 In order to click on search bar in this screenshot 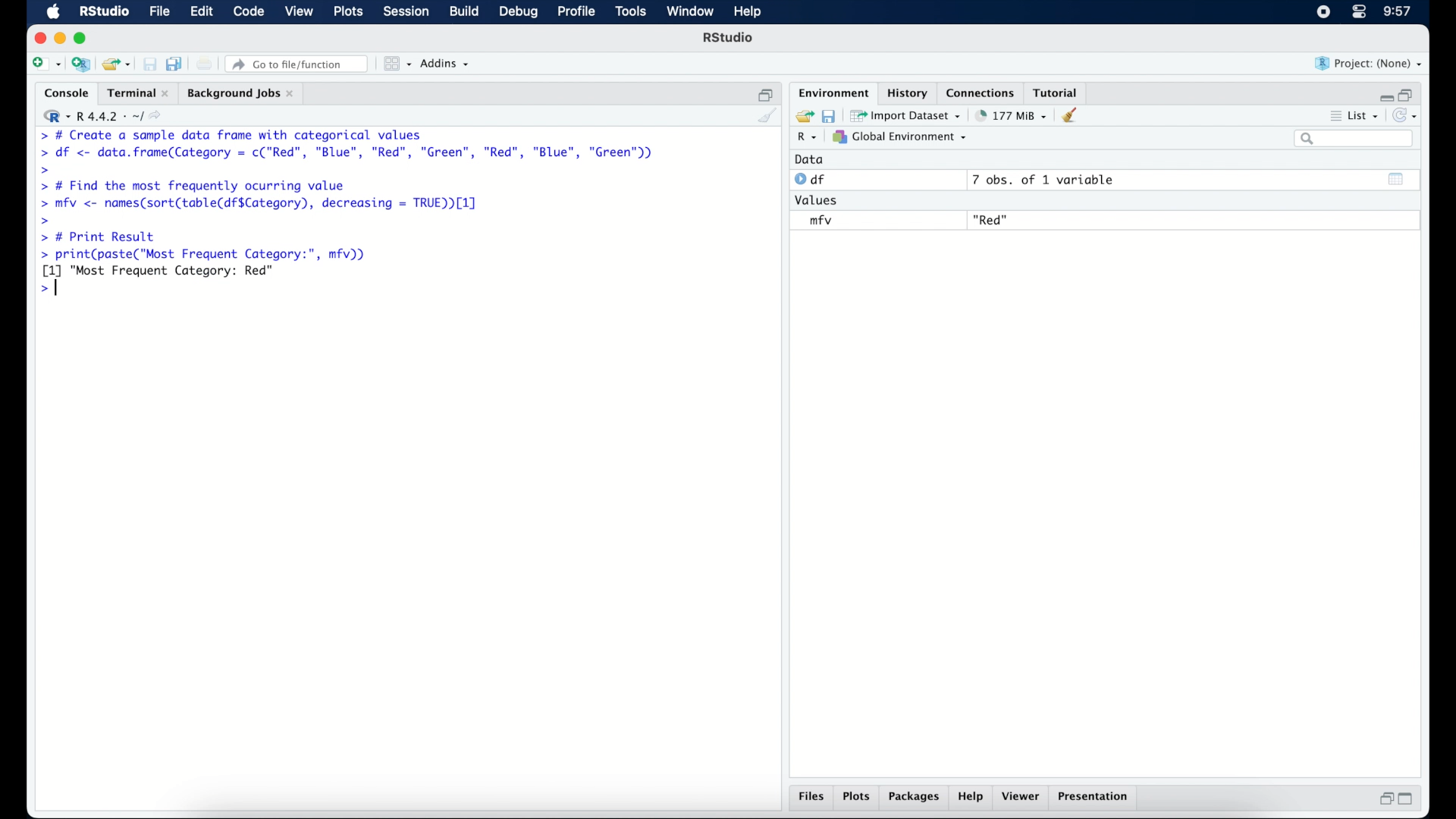, I will do `click(1355, 140)`.